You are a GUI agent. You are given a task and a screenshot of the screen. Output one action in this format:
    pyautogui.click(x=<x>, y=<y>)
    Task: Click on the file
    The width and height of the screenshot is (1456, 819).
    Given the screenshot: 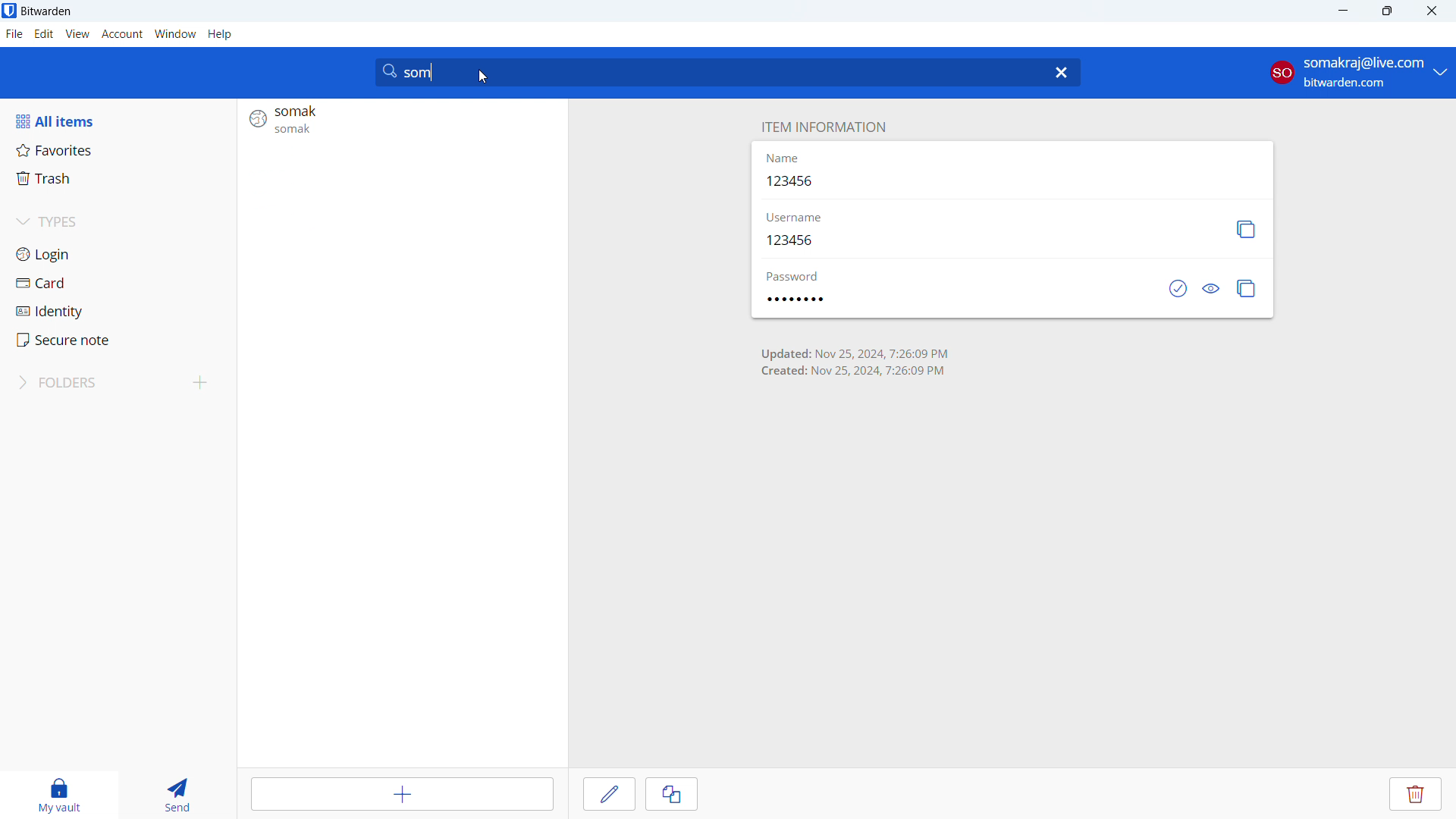 What is the action you would take?
    pyautogui.click(x=14, y=34)
    